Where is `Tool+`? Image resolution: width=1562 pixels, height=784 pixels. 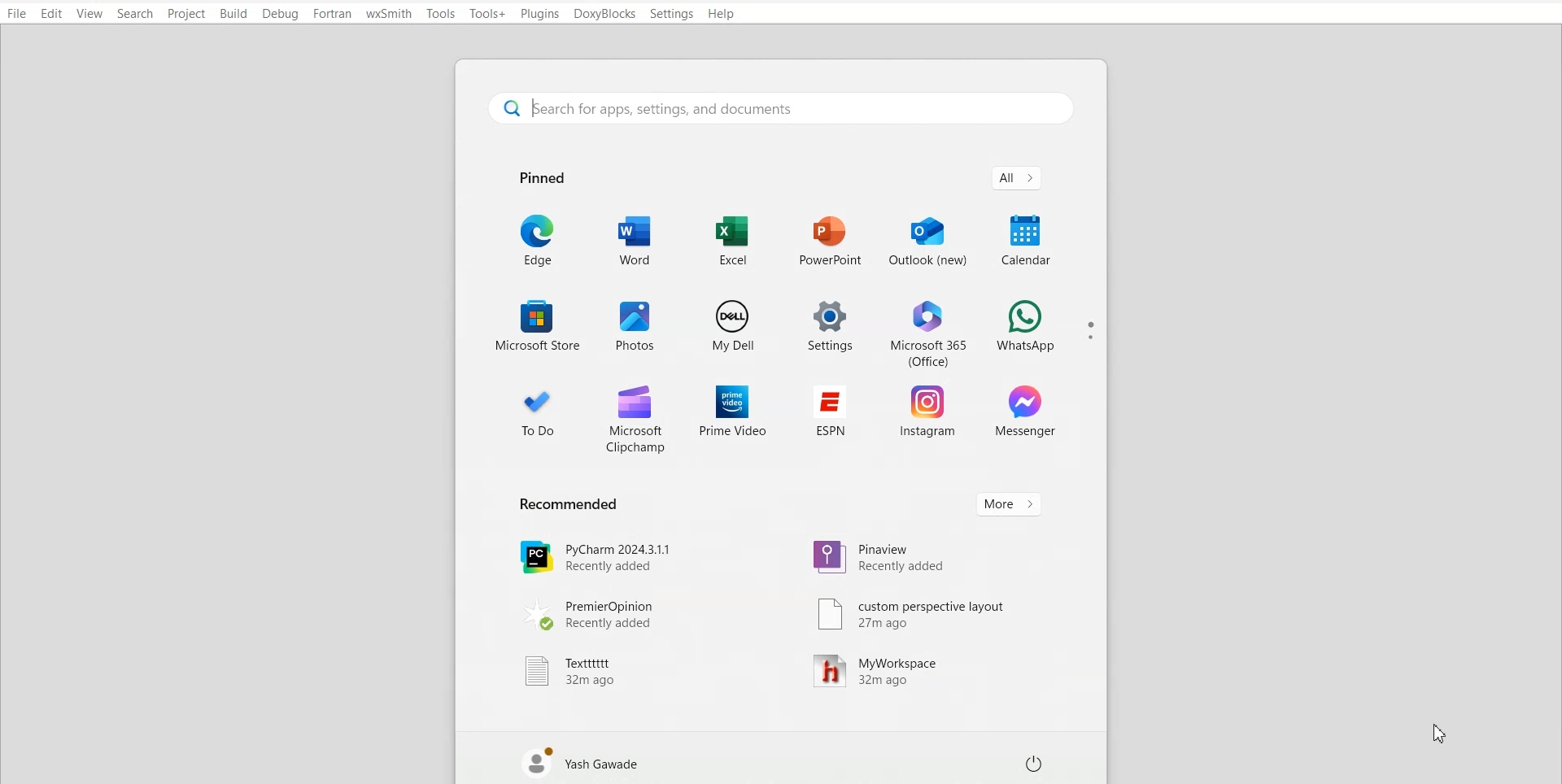
Tool+ is located at coordinates (490, 14).